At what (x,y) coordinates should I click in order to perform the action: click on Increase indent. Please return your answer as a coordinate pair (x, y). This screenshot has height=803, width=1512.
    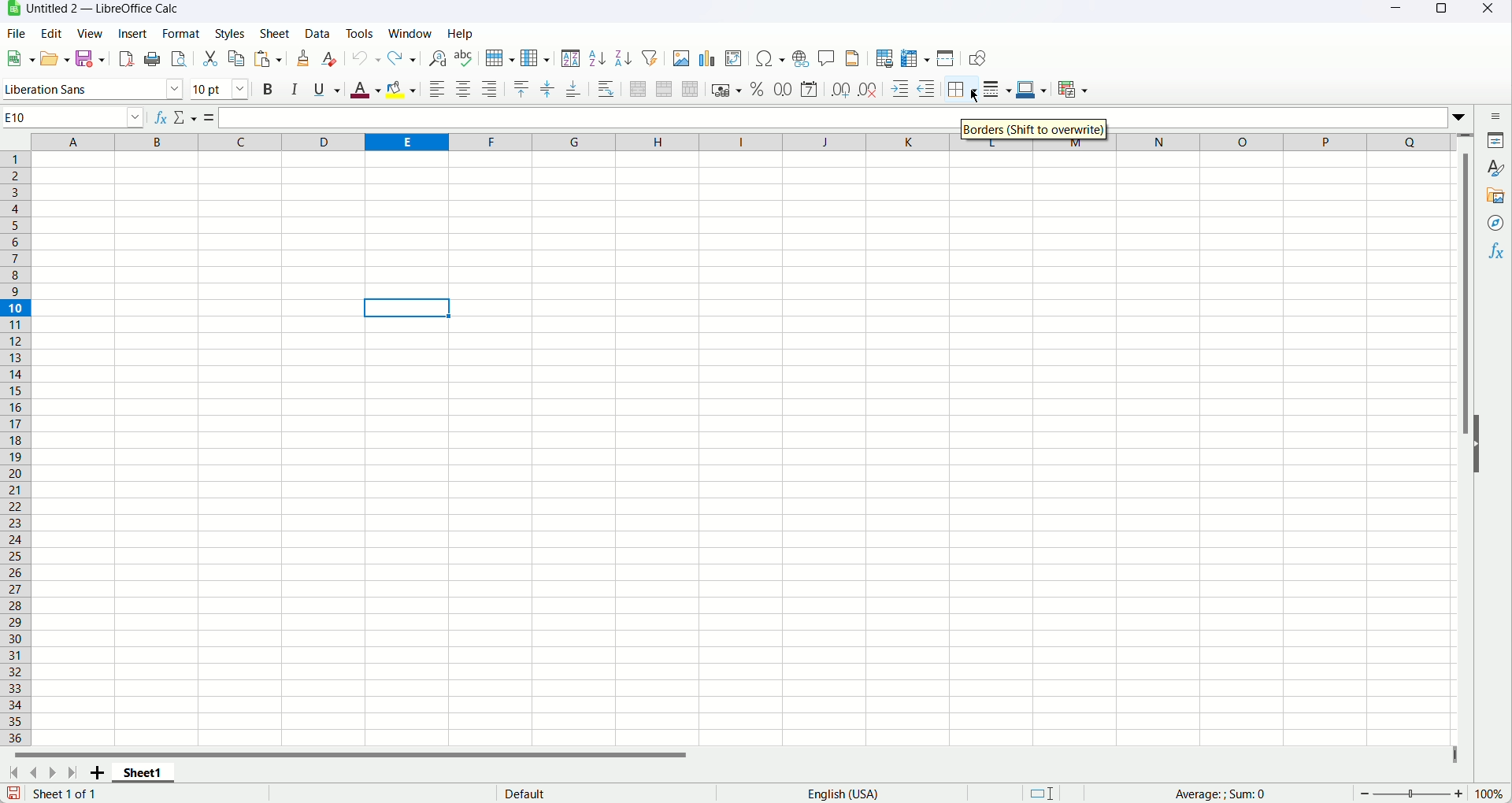
    Looking at the image, I should click on (897, 89).